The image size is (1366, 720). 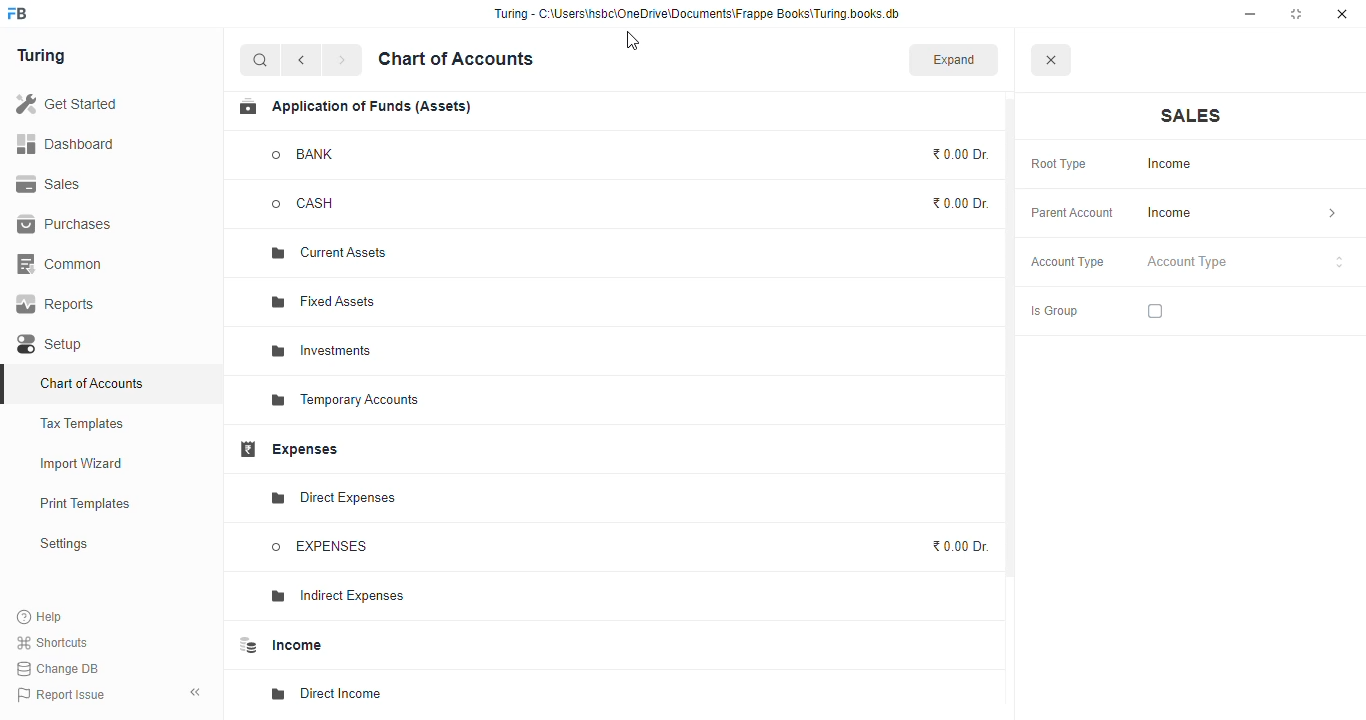 What do you see at coordinates (322, 204) in the screenshot?
I see `CASH` at bounding box center [322, 204].